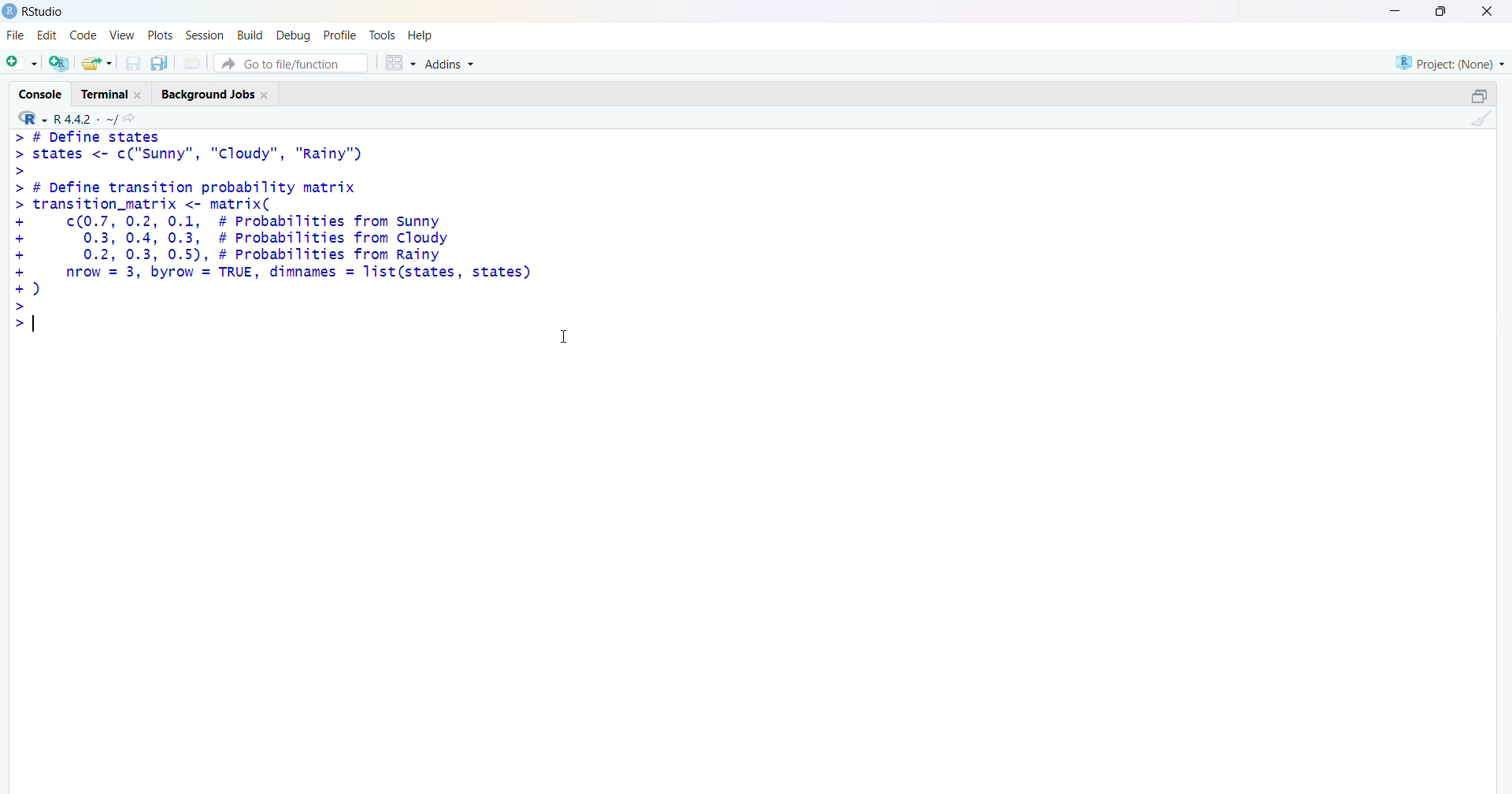  What do you see at coordinates (337, 35) in the screenshot?
I see `profile` at bounding box center [337, 35].